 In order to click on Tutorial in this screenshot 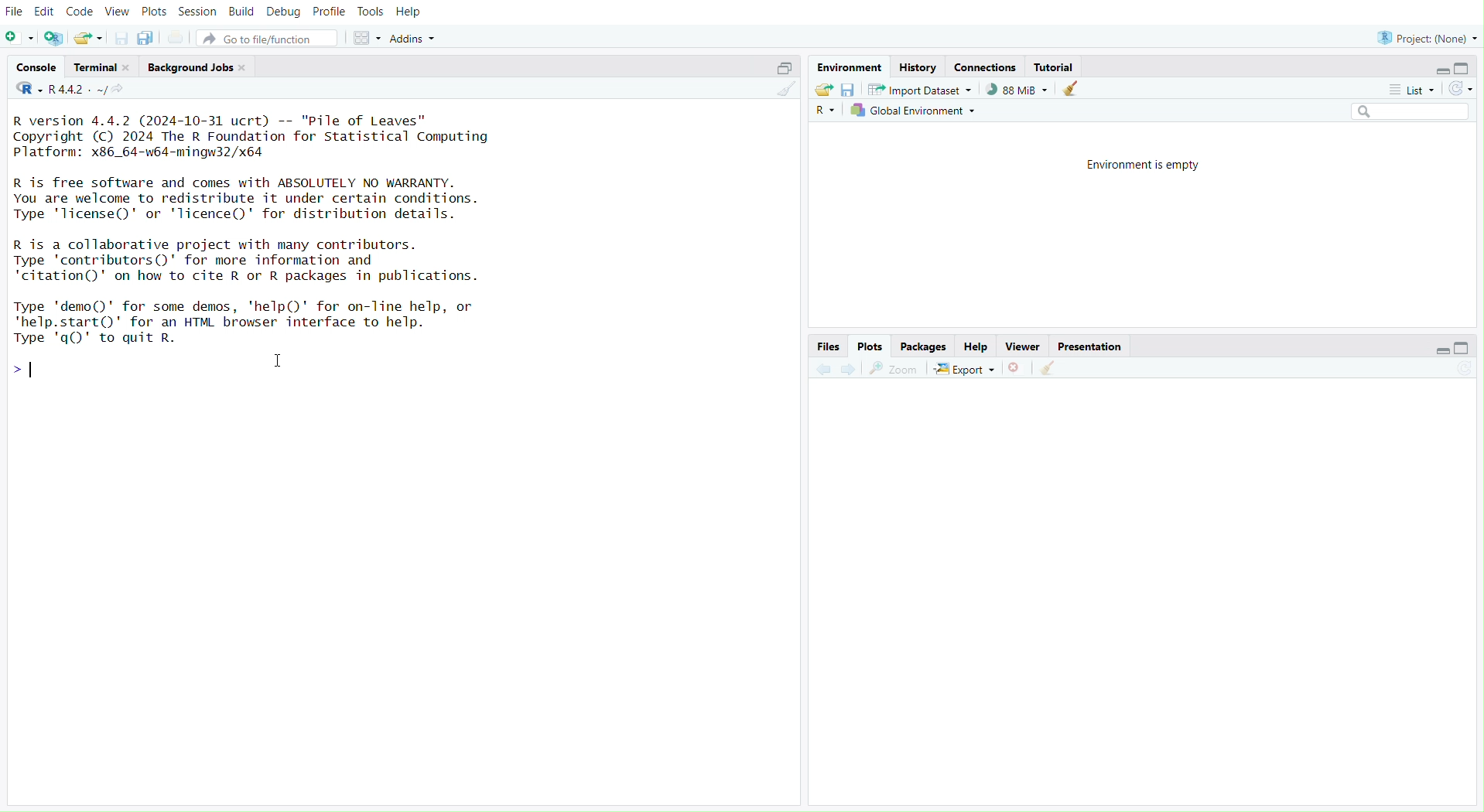, I will do `click(1055, 66)`.